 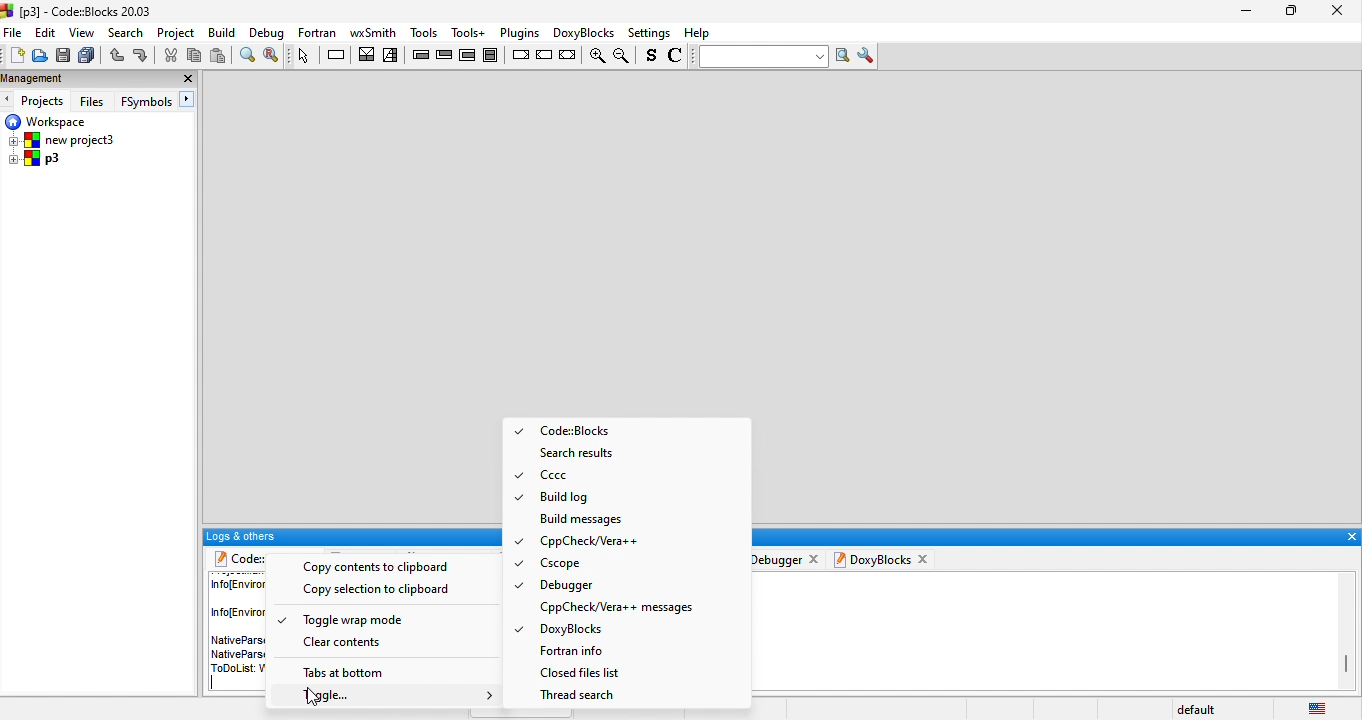 What do you see at coordinates (14, 57) in the screenshot?
I see `new` at bounding box center [14, 57].